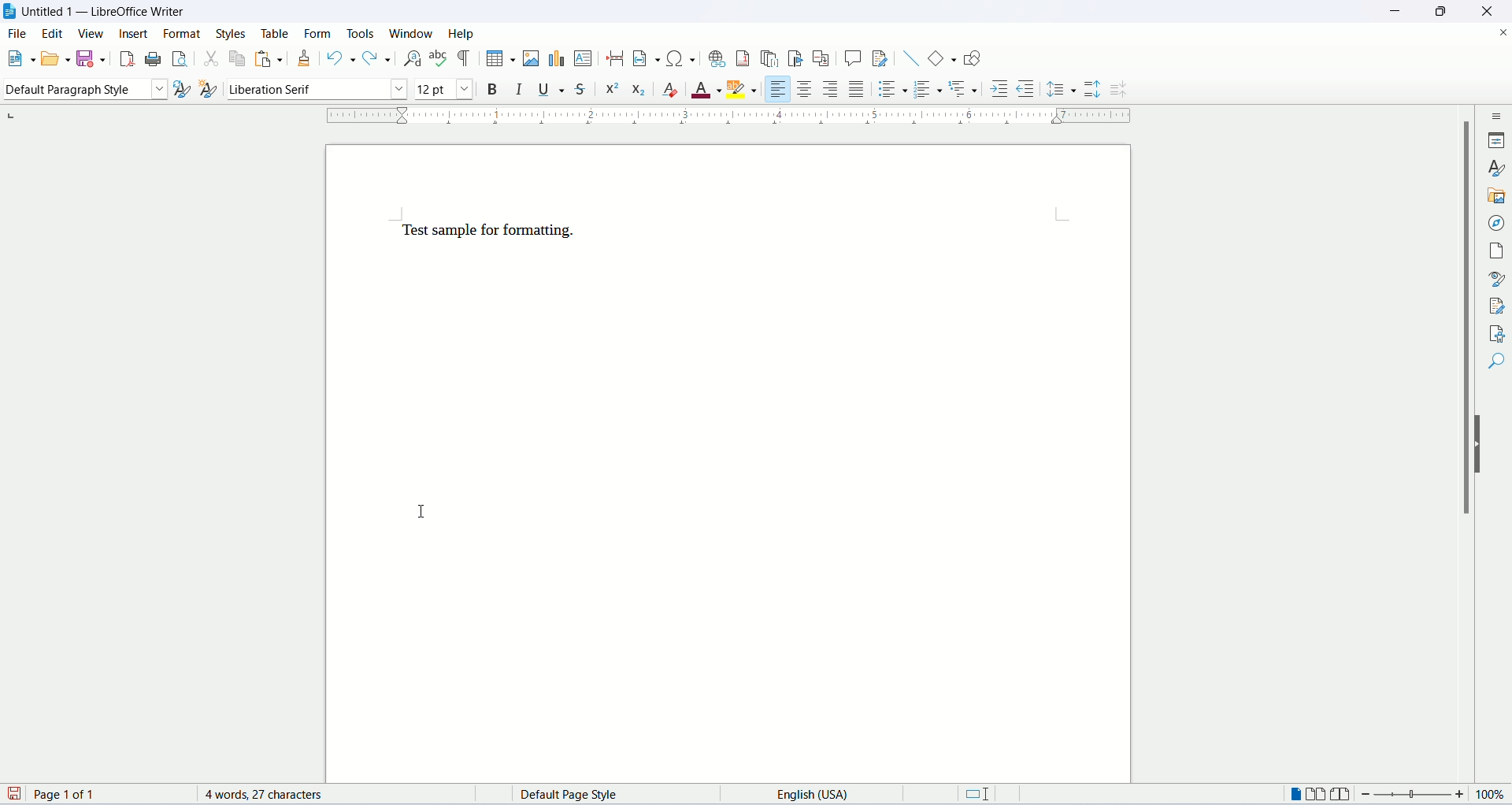  What do you see at coordinates (1484, 11) in the screenshot?
I see `close` at bounding box center [1484, 11].